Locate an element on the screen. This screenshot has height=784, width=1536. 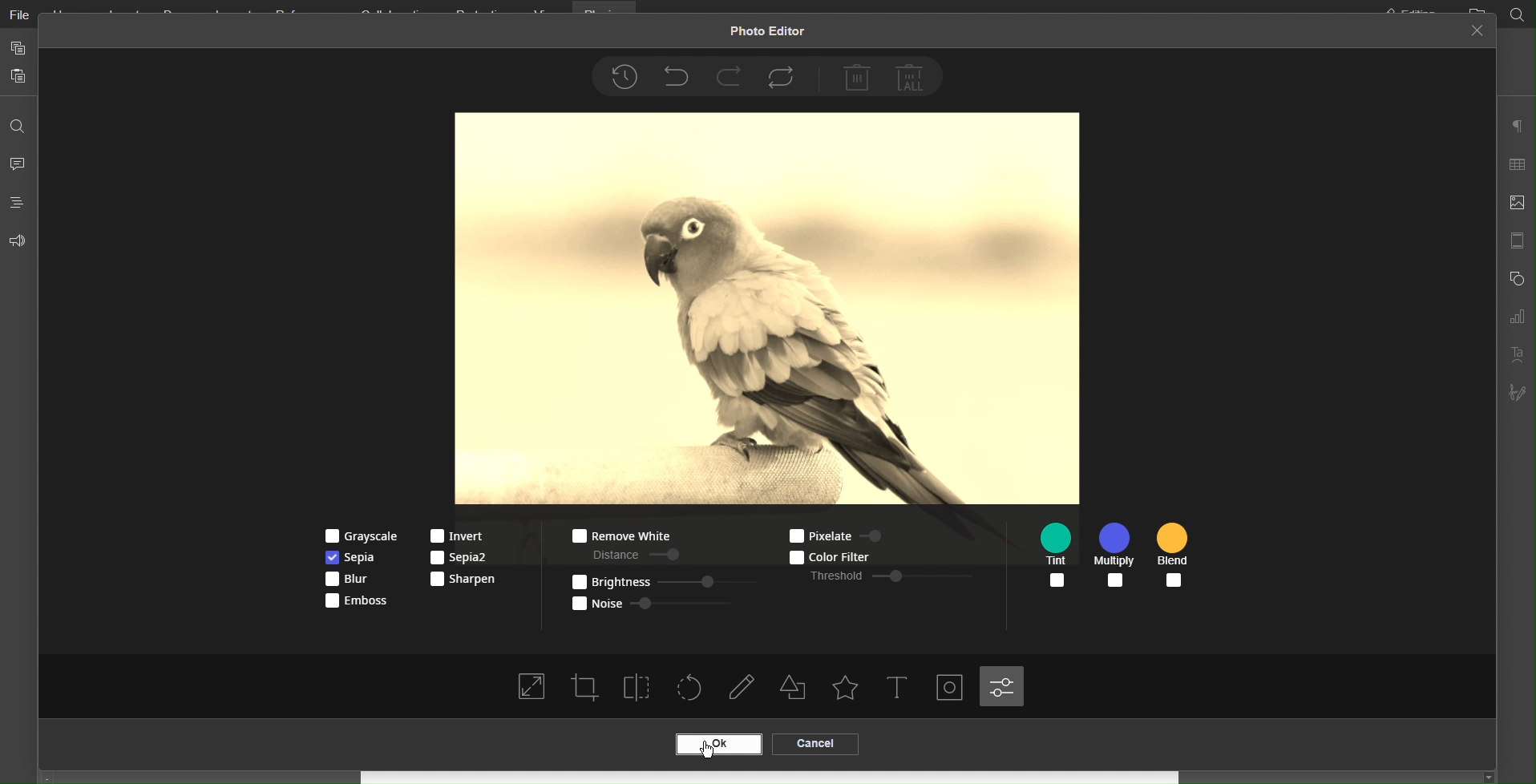
Comments is located at coordinates (19, 162).